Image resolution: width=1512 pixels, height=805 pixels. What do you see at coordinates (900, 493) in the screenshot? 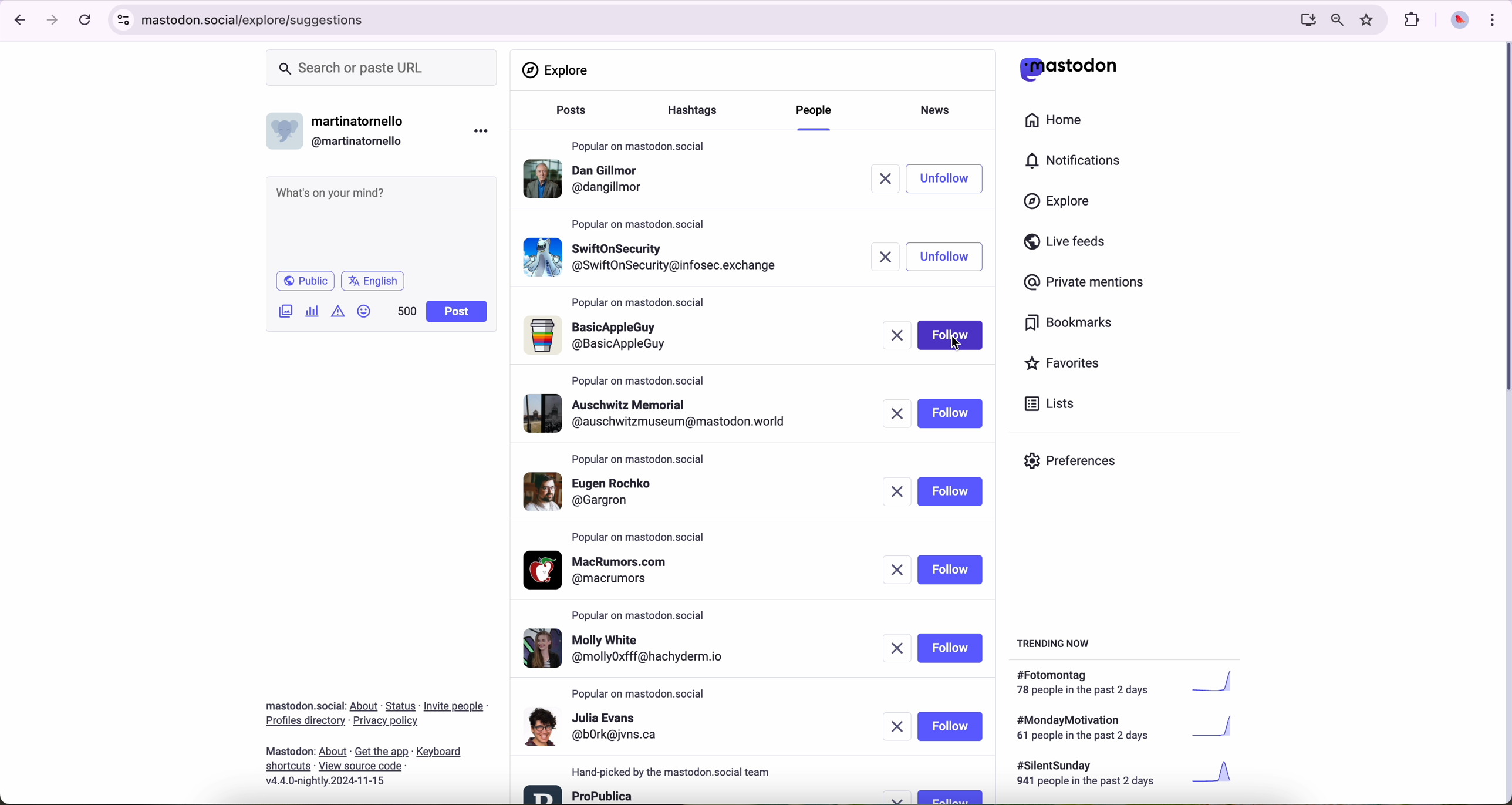
I see `remove` at bounding box center [900, 493].